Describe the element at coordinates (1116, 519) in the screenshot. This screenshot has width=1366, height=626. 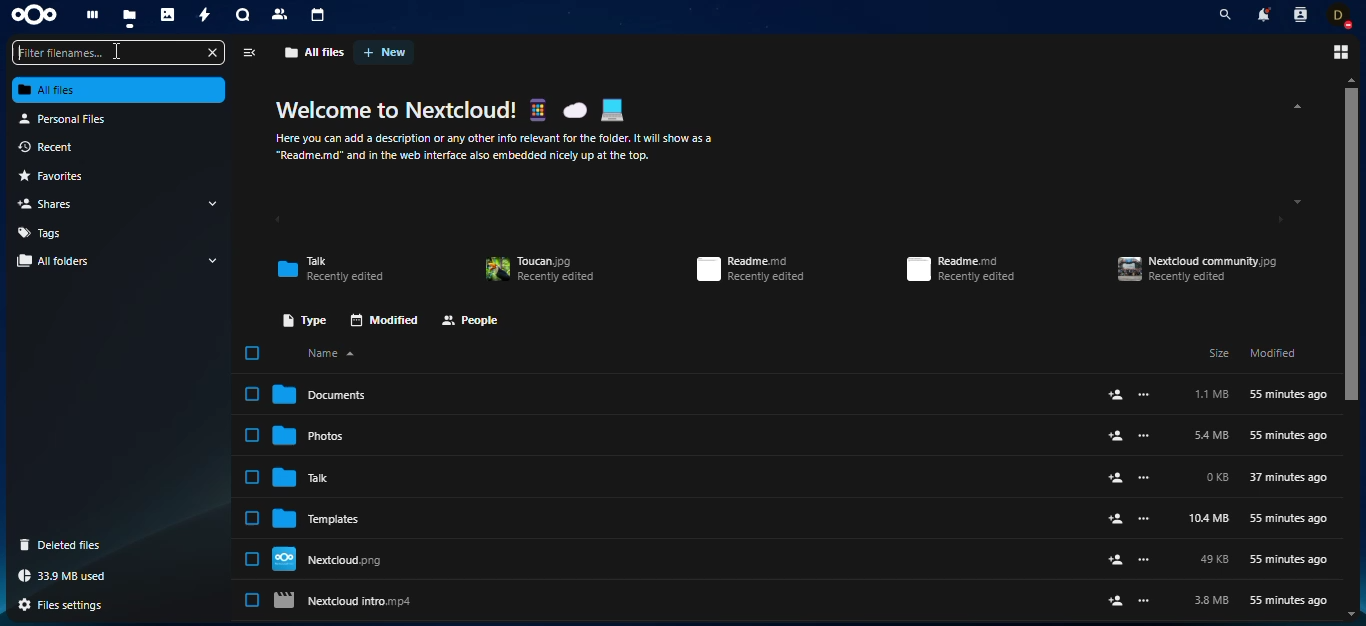
I see `add` at that location.